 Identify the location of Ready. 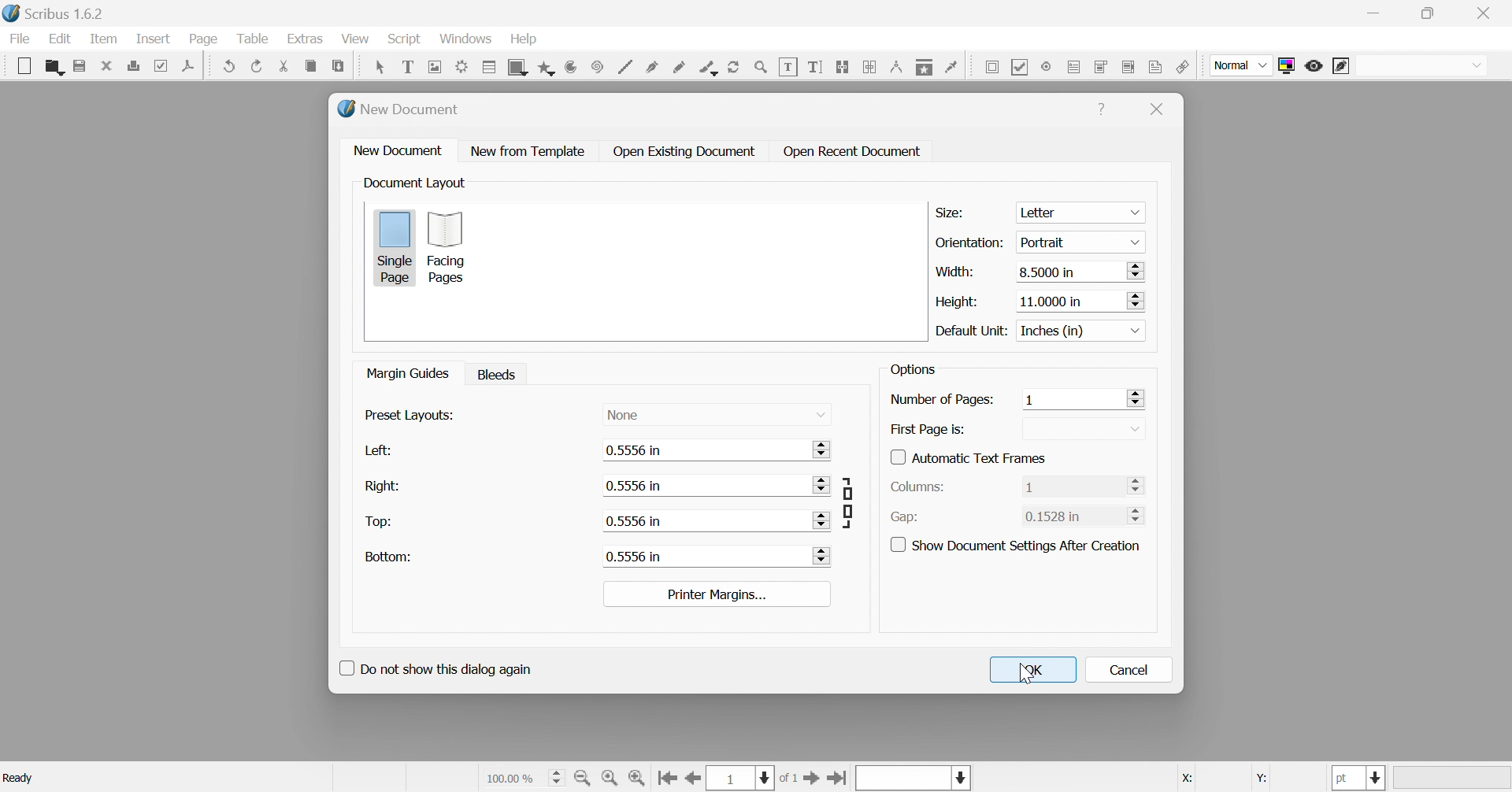
(18, 779).